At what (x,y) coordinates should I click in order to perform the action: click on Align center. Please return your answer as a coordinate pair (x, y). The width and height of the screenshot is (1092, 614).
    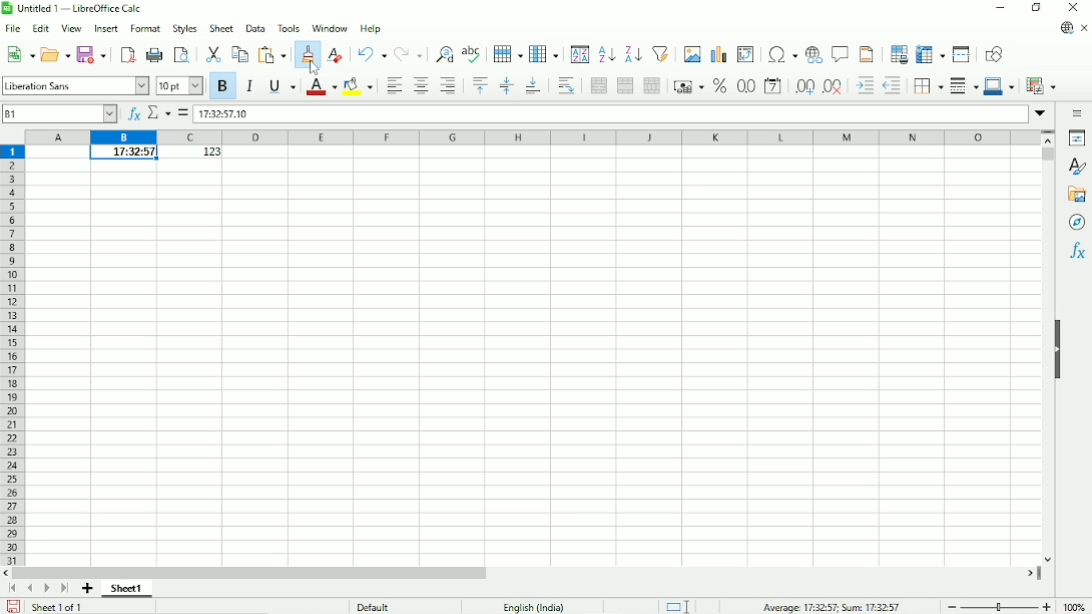
    Looking at the image, I should click on (421, 85).